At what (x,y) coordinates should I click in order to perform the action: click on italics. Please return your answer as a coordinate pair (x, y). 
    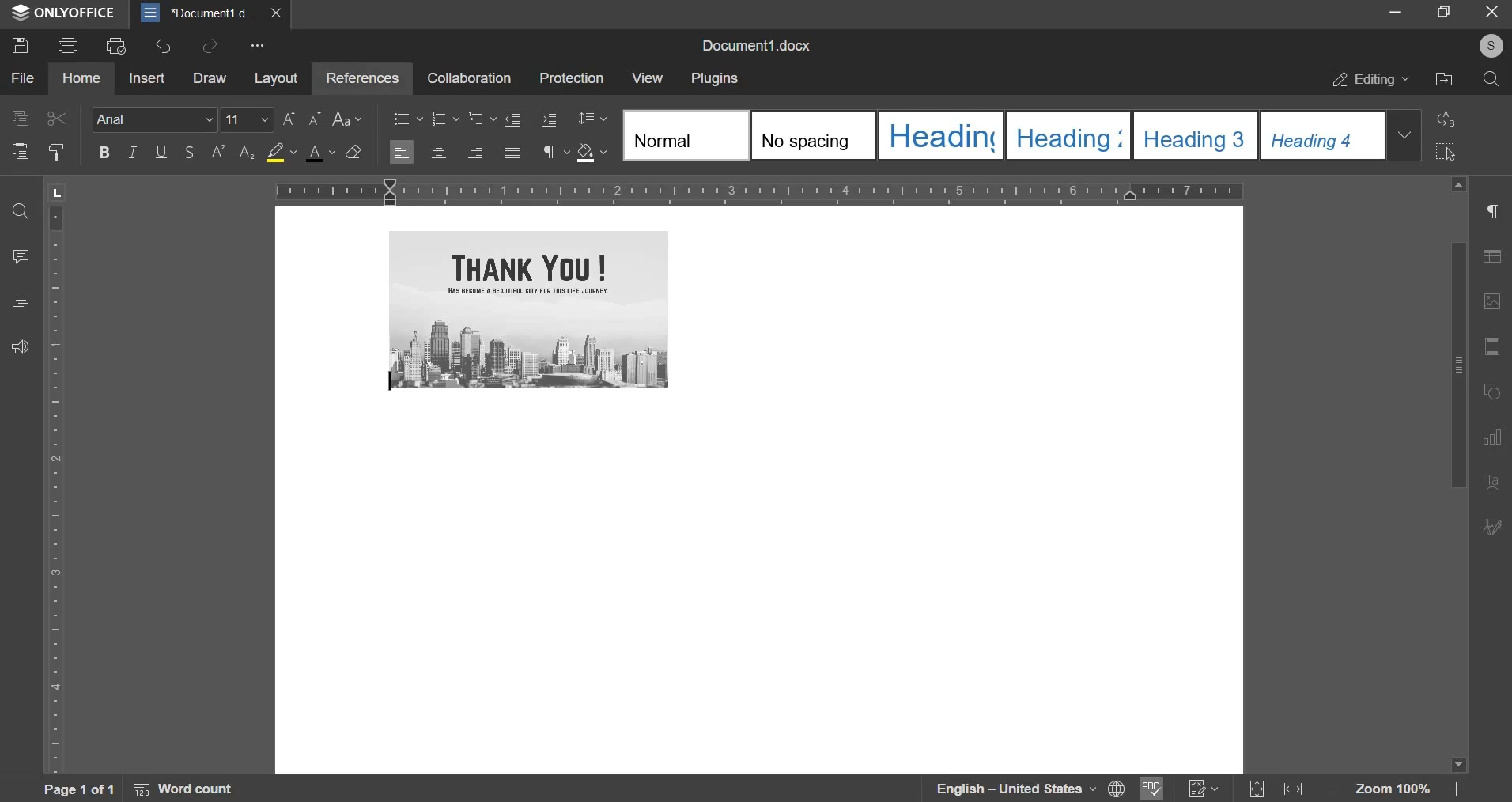
    Looking at the image, I should click on (131, 152).